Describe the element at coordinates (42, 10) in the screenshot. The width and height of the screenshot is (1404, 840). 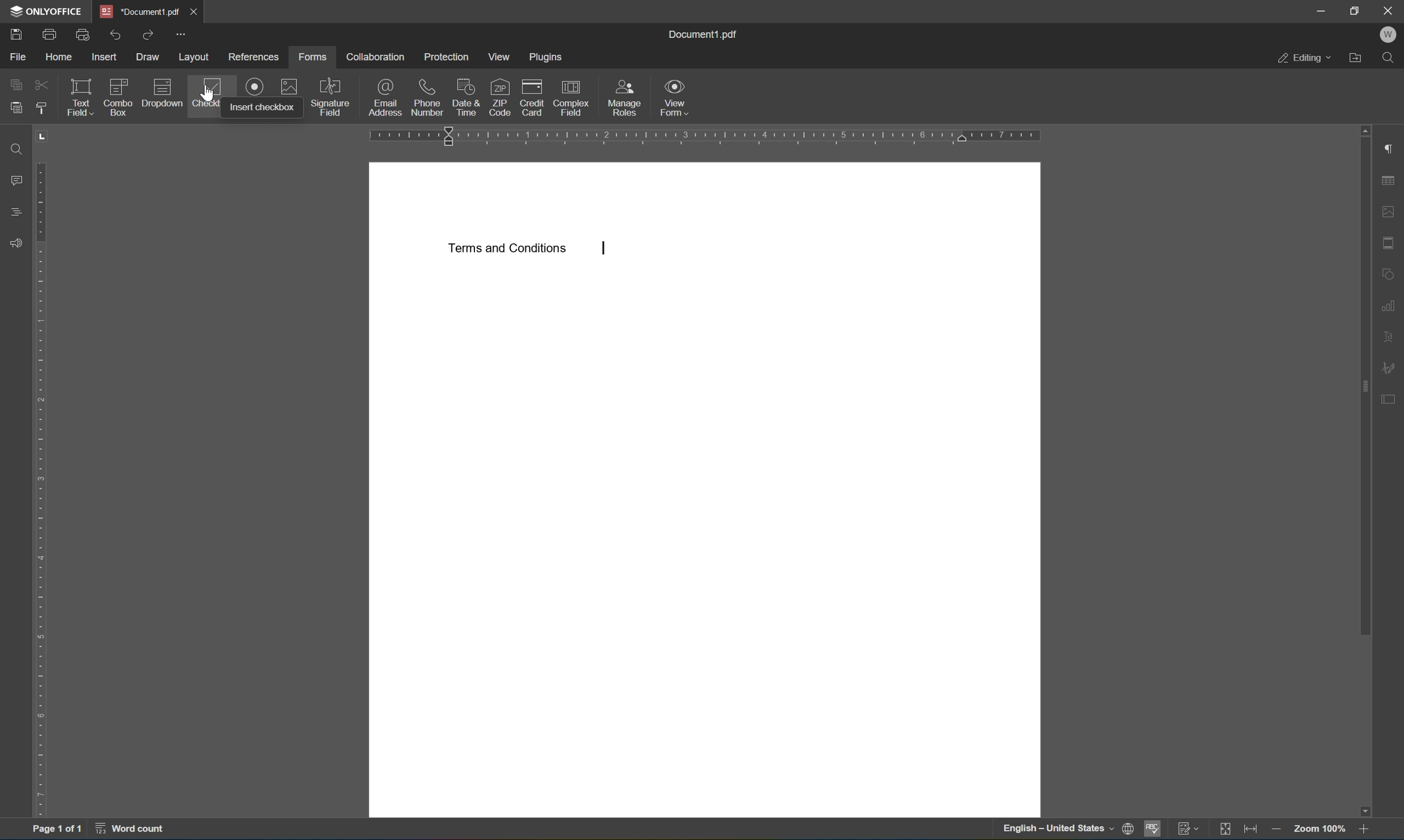
I see `ONLYOFFICE` at that location.